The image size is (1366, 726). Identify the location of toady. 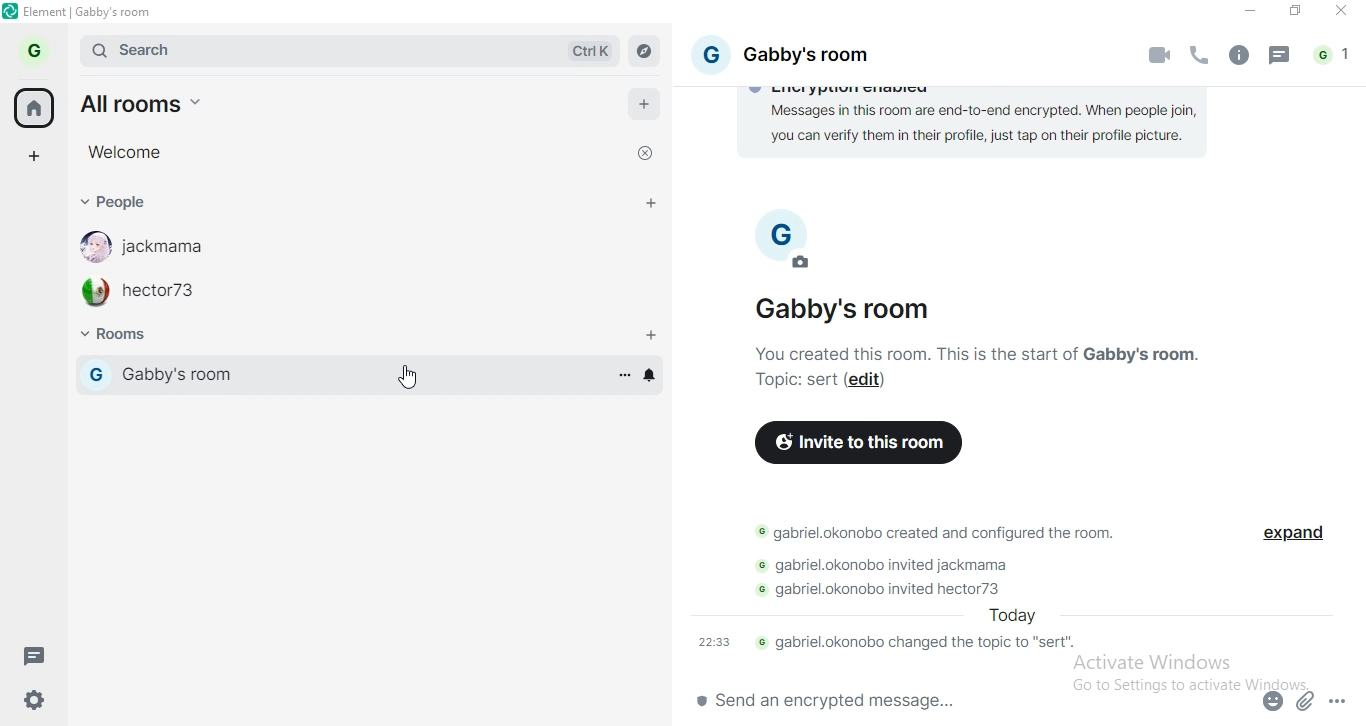
(1009, 616).